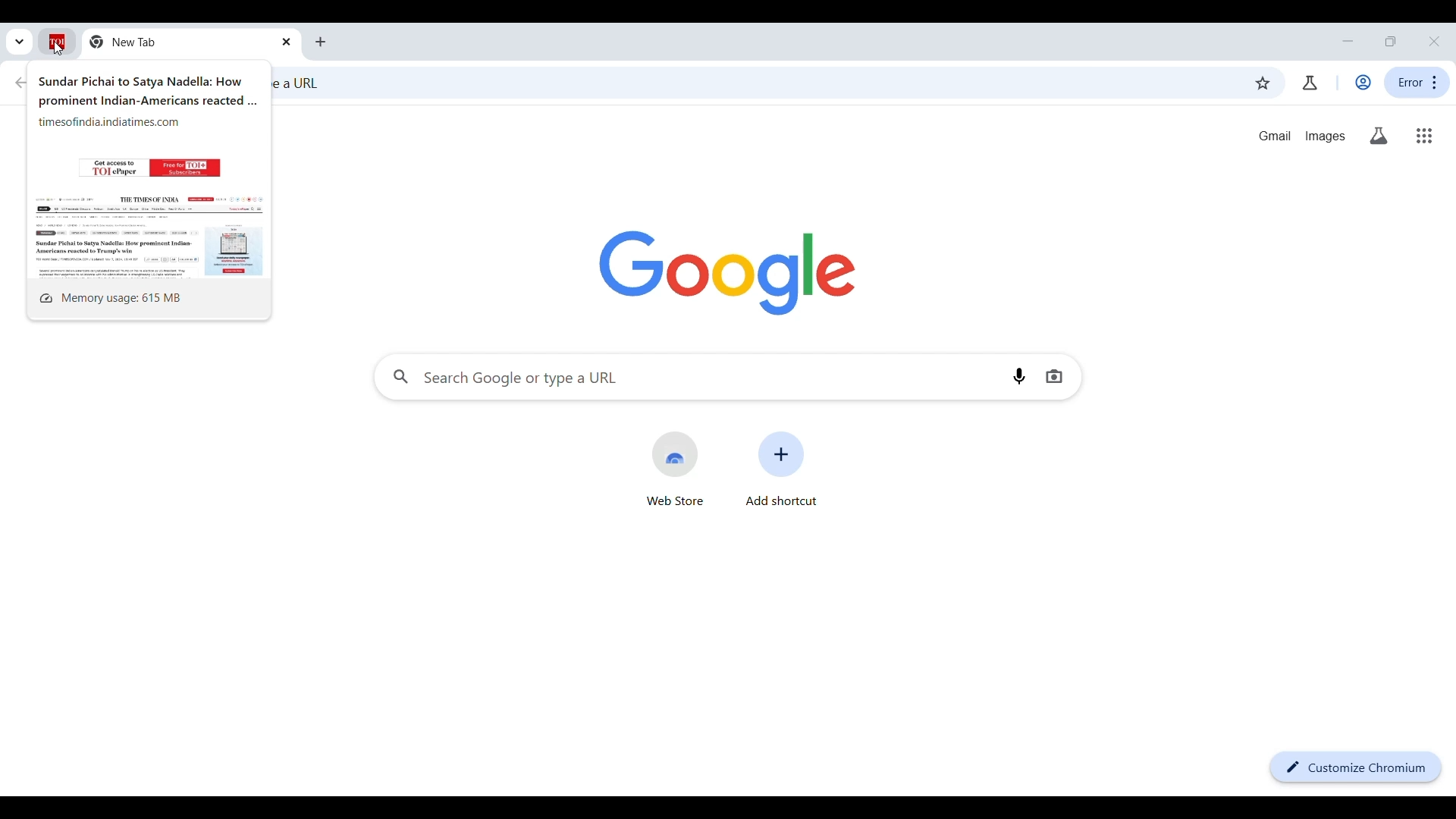 The image size is (1456, 819). I want to click on Open Google webstore, so click(676, 469).